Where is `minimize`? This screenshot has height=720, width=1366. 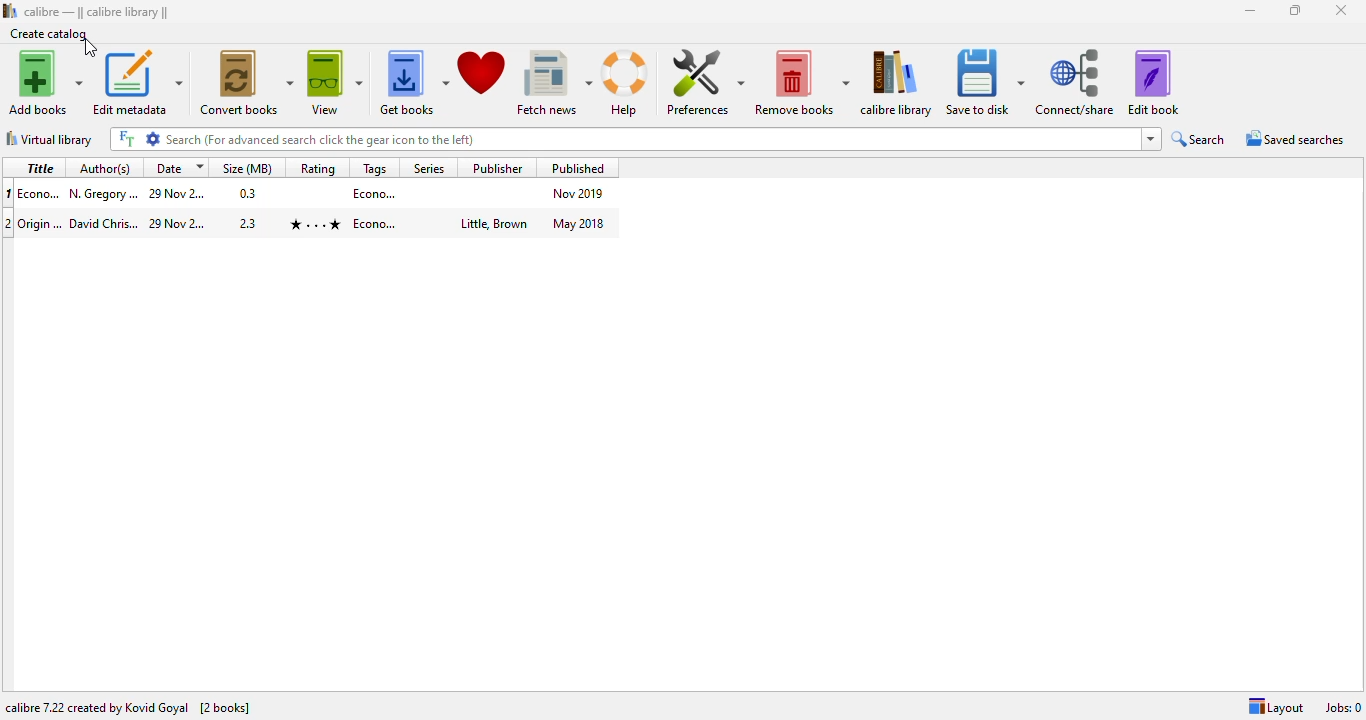
minimize is located at coordinates (1250, 11).